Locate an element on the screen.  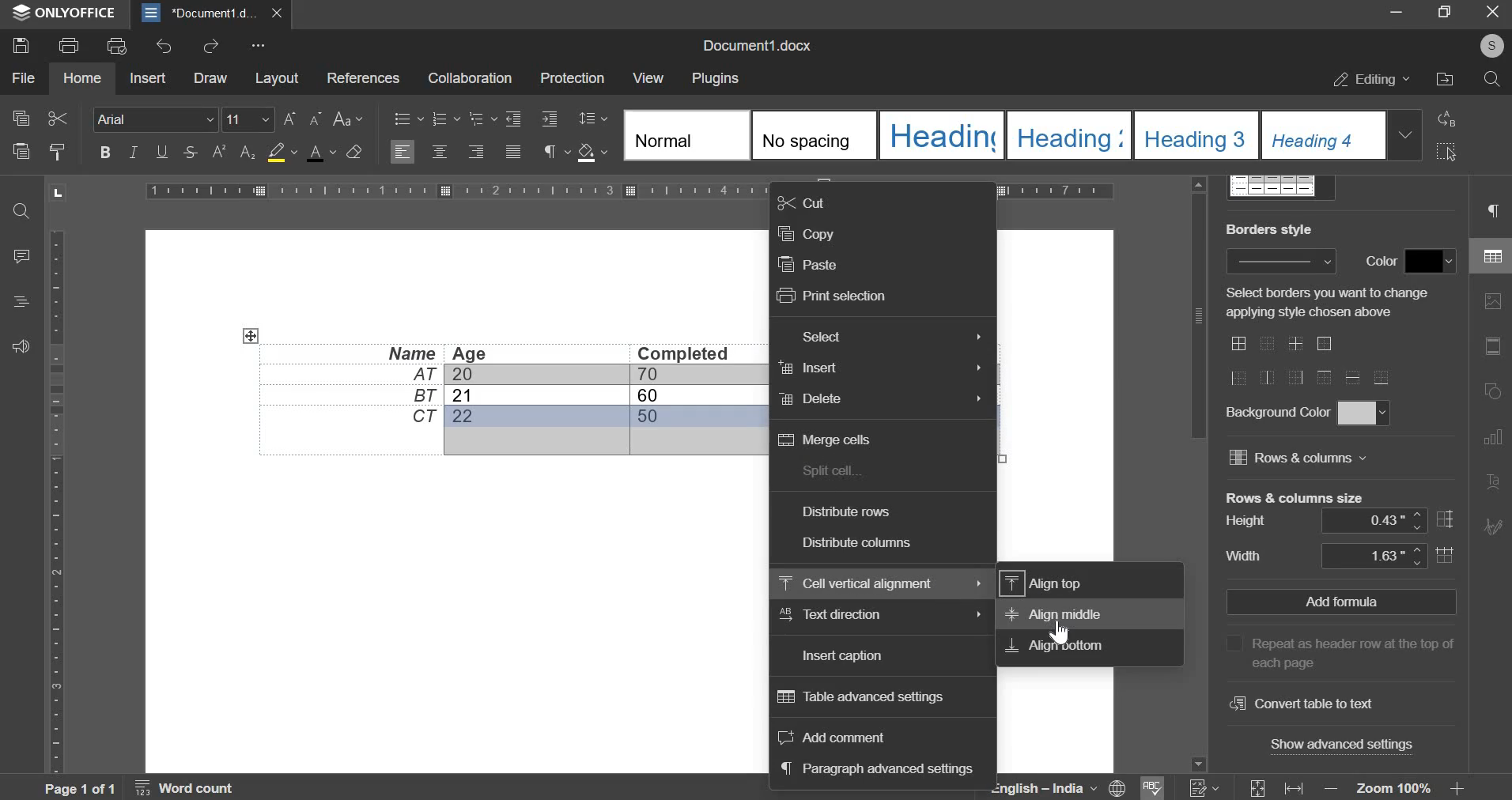
italic is located at coordinates (131, 150).